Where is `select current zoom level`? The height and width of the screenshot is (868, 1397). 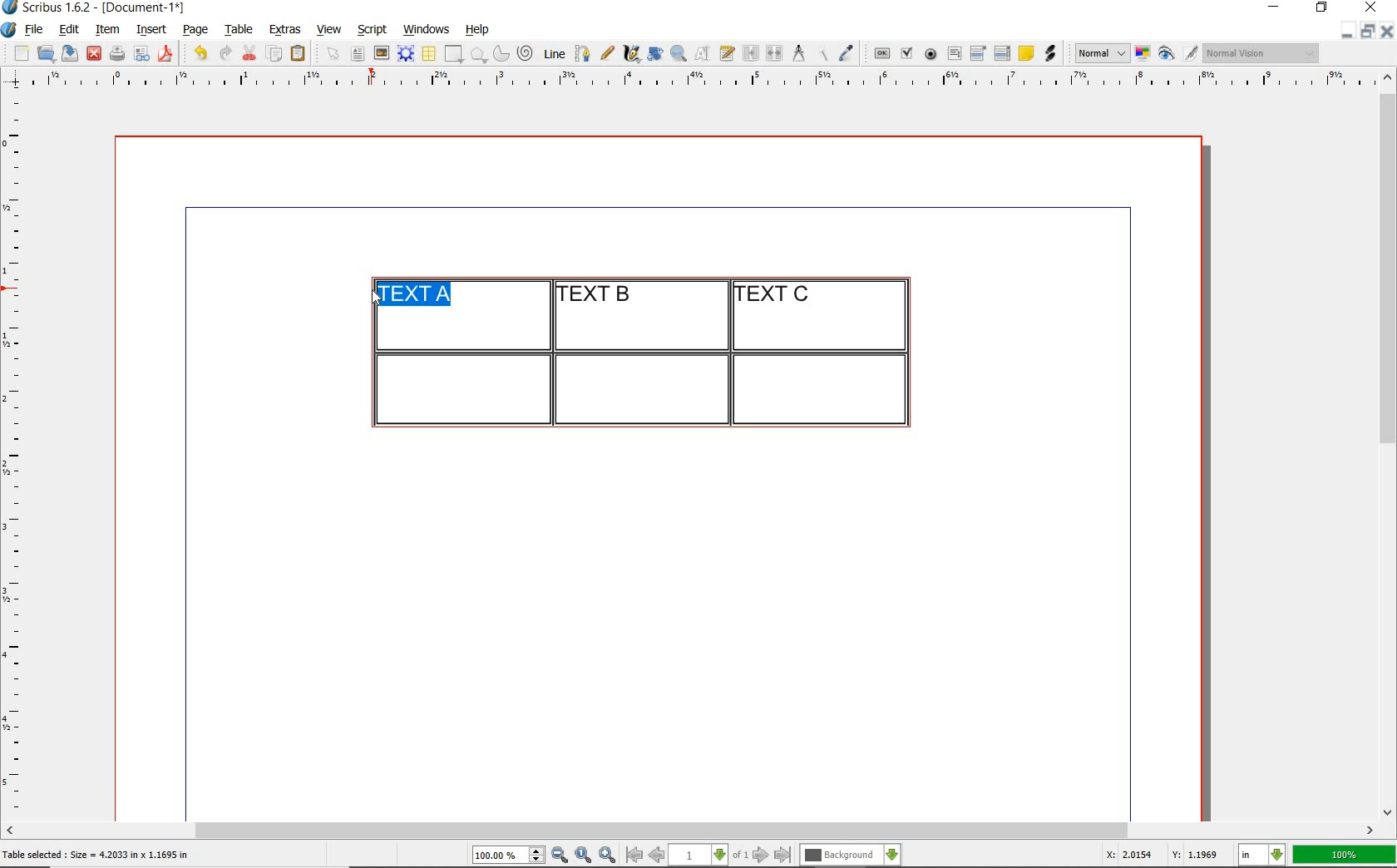 select current zoom level is located at coordinates (509, 855).